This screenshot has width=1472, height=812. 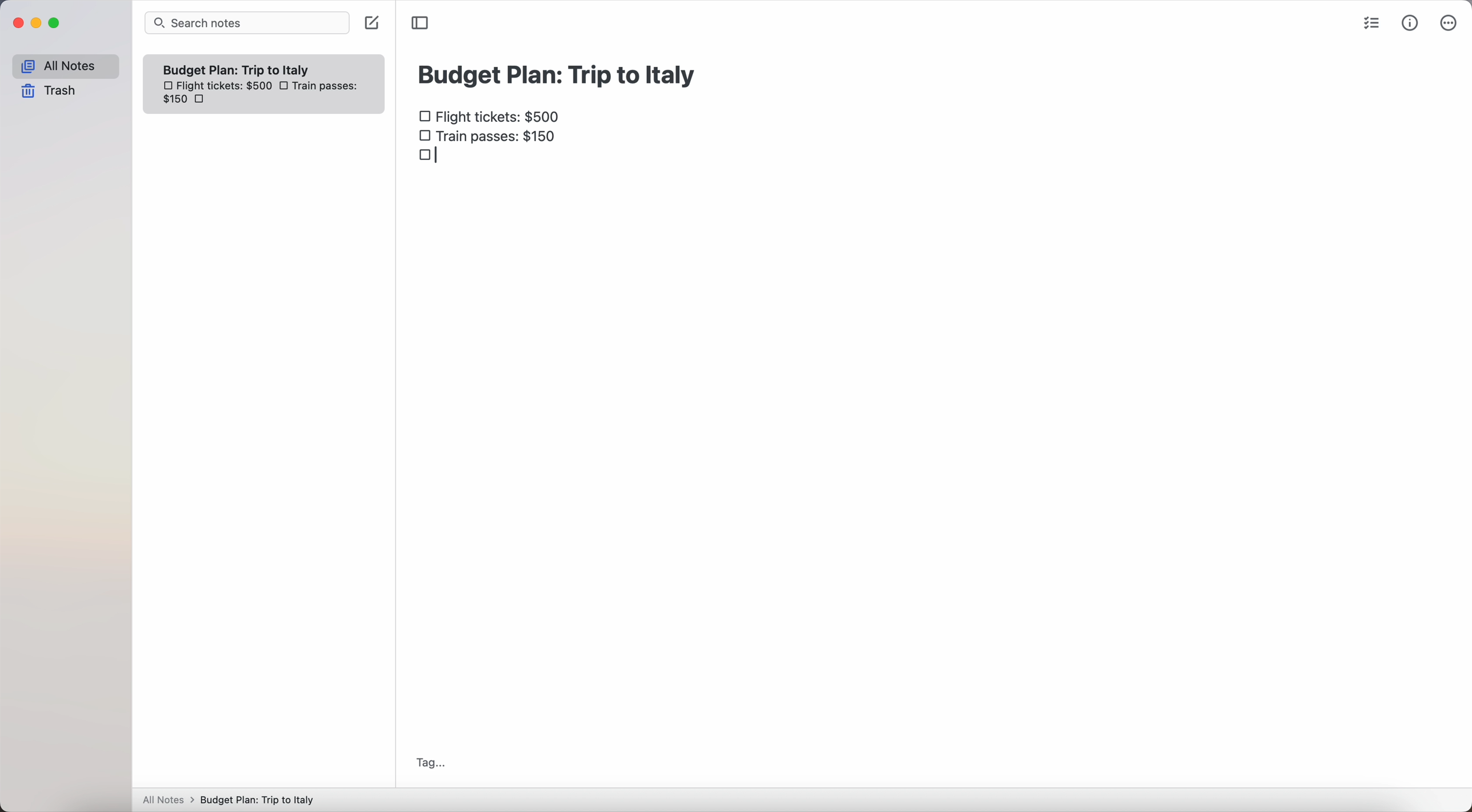 I want to click on train passes, so click(x=489, y=139).